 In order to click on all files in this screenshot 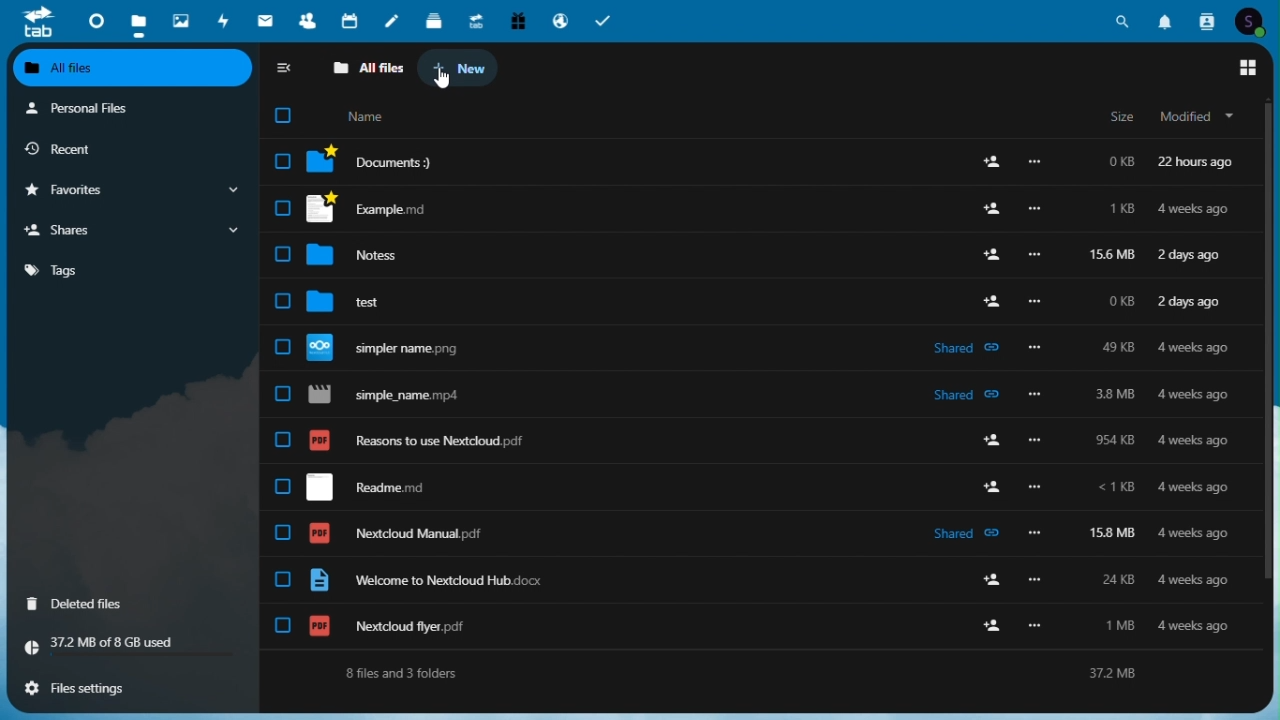, I will do `click(134, 68)`.